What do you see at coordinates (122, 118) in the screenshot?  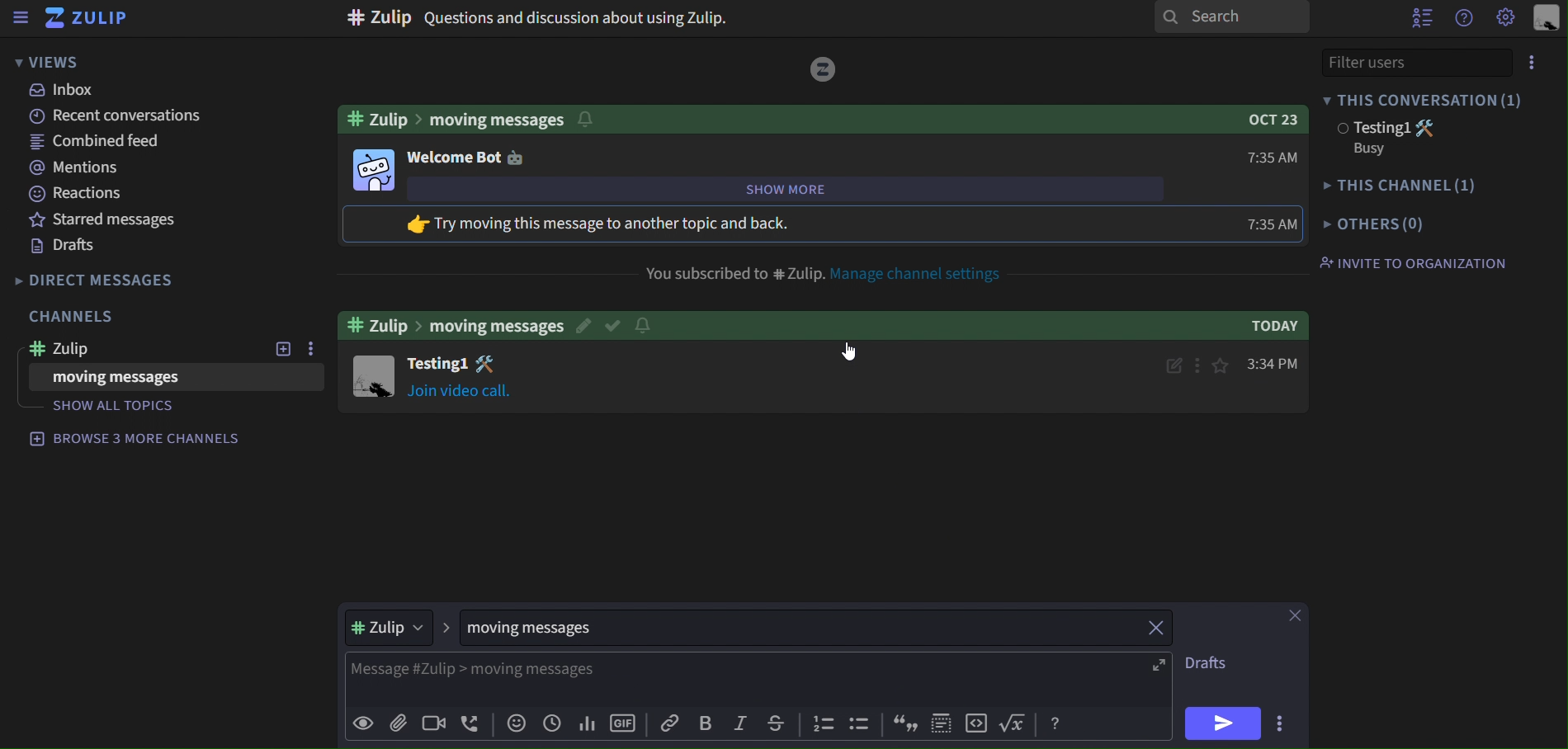 I see `recent conversations` at bounding box center [122, 118].